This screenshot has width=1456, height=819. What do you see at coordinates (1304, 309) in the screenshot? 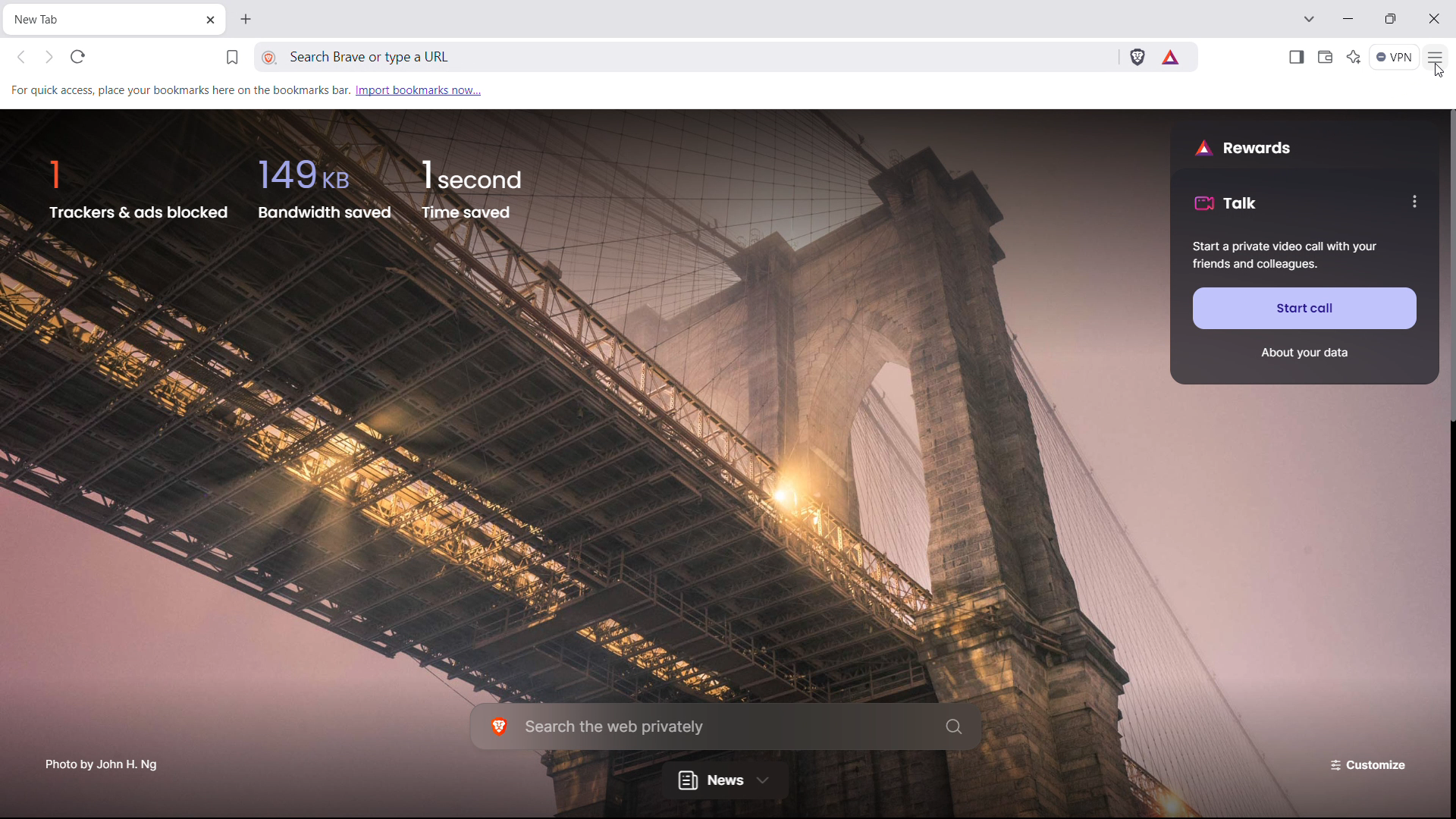
I see `start call` at bounding box center [1304, 309].